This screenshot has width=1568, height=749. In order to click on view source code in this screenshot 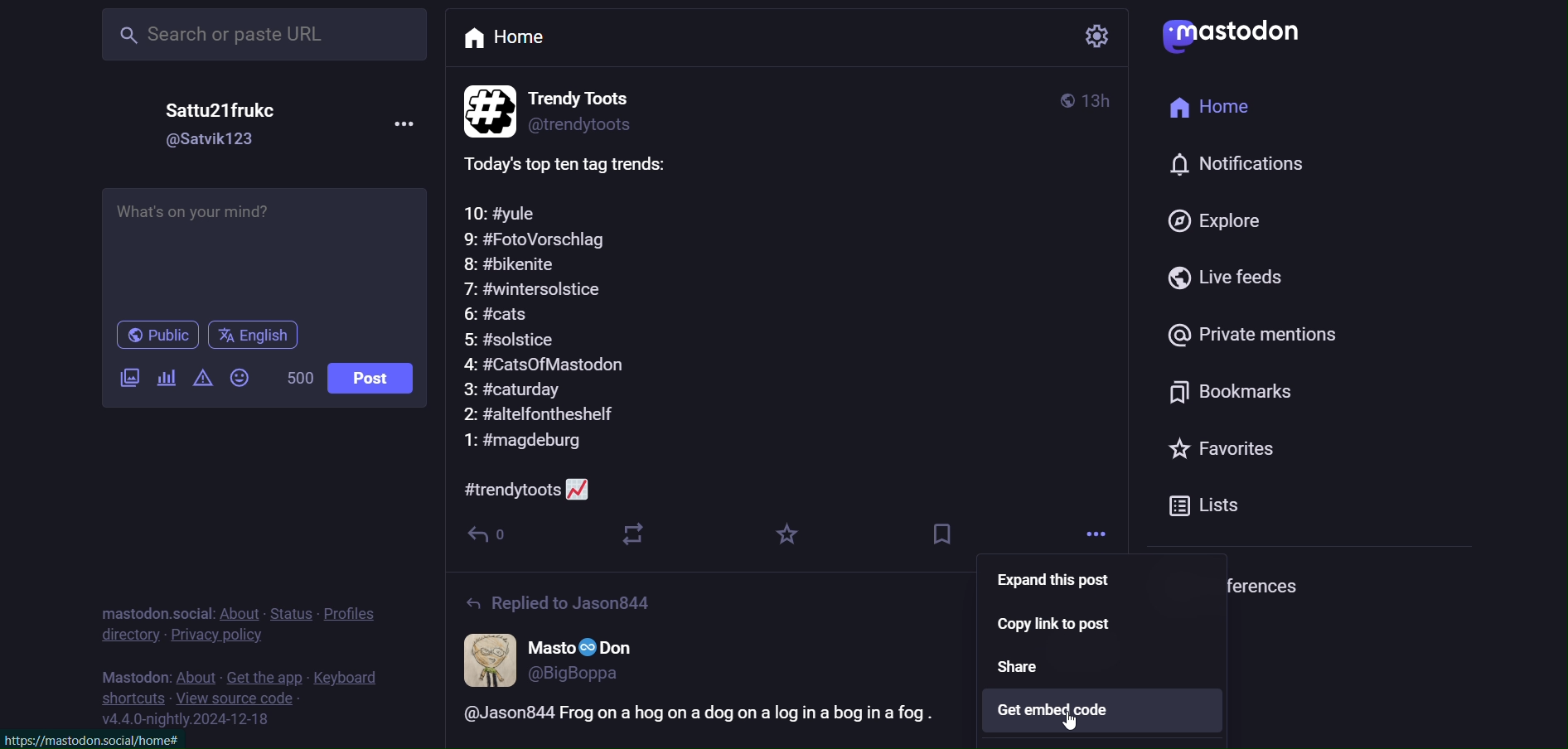, I will do `click(250, 698)`.